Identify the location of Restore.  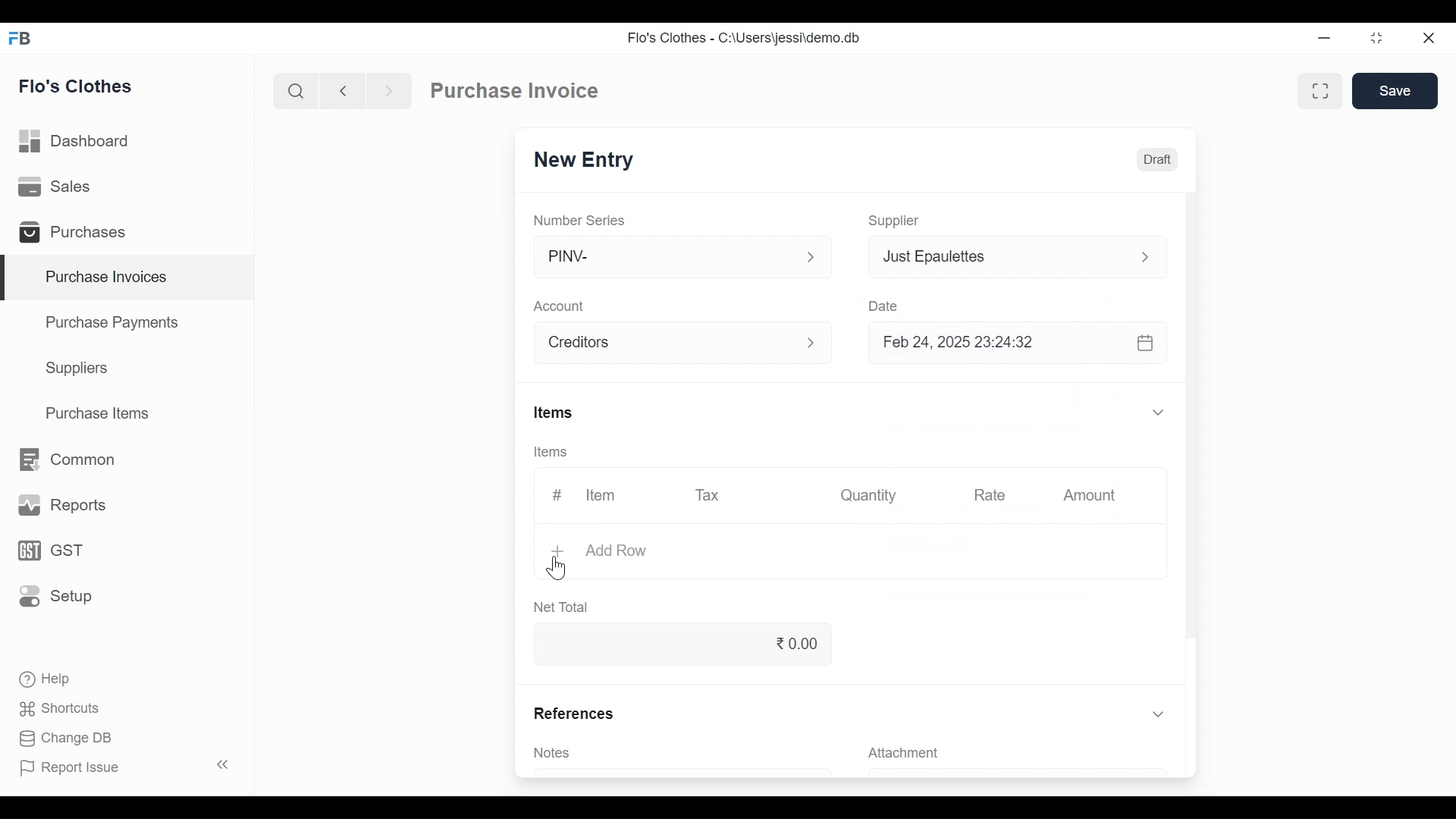
(1376, 39).